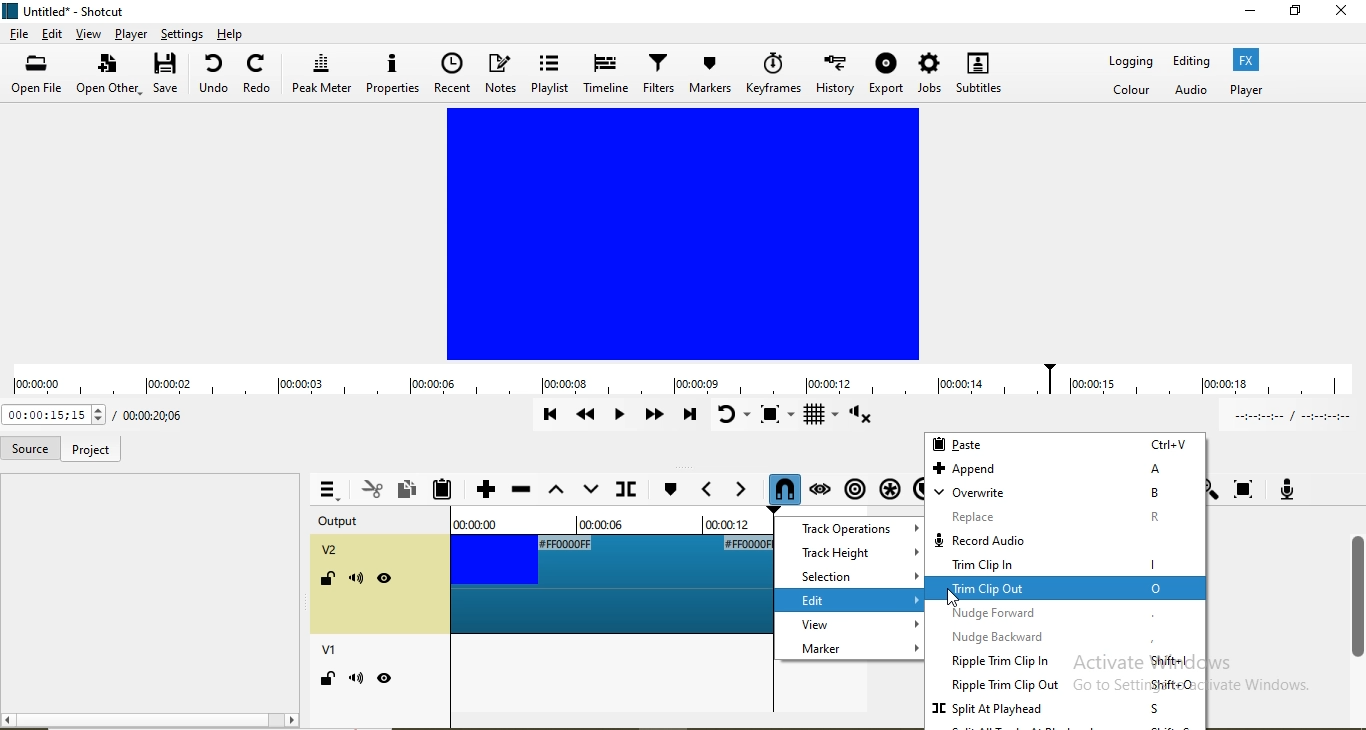 This screenshot has width=1366, height=730. I want to click on video preview, so click(685, 234).